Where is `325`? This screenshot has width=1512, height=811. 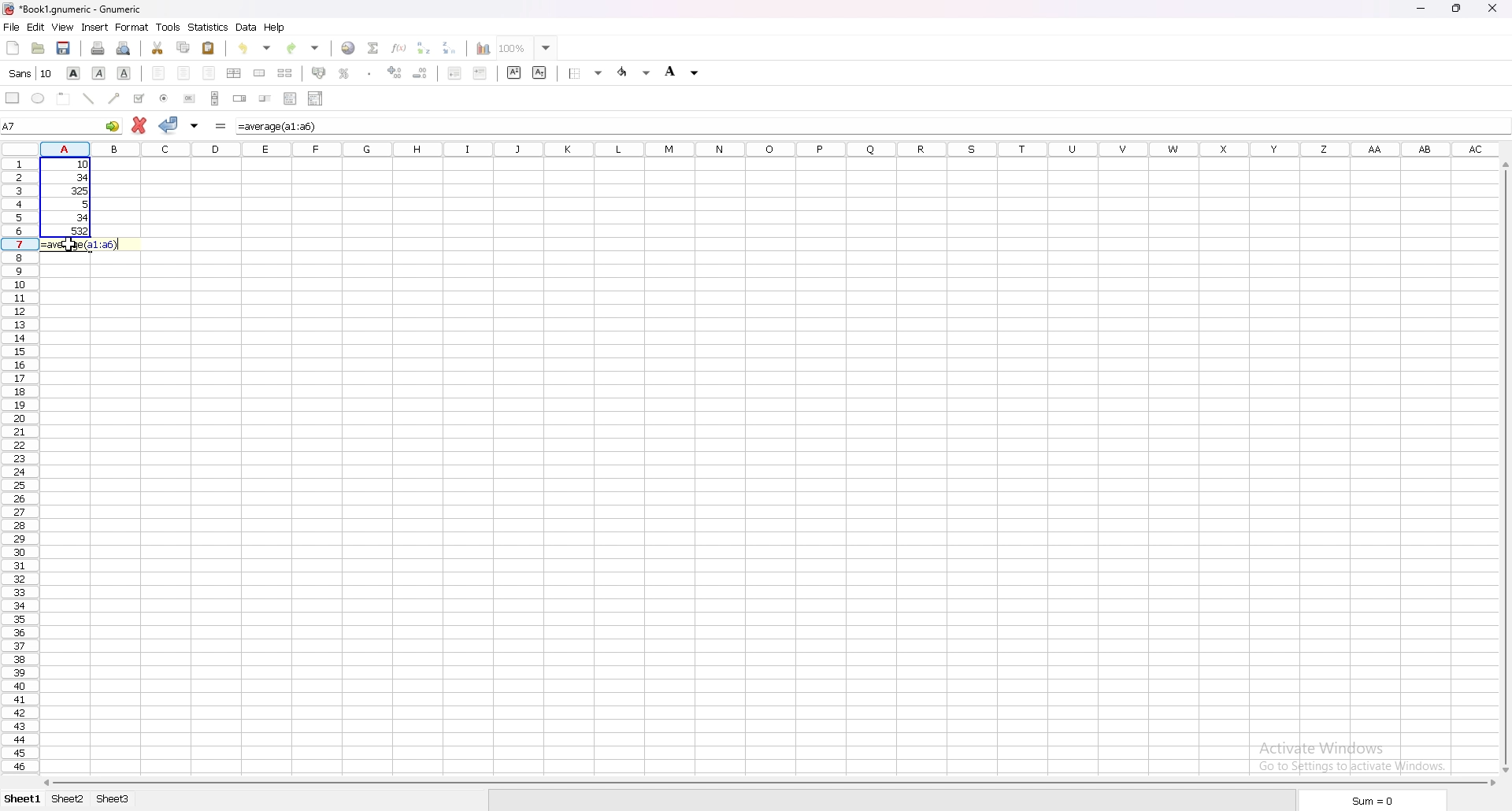
325 is located at coordinates (72, 190).